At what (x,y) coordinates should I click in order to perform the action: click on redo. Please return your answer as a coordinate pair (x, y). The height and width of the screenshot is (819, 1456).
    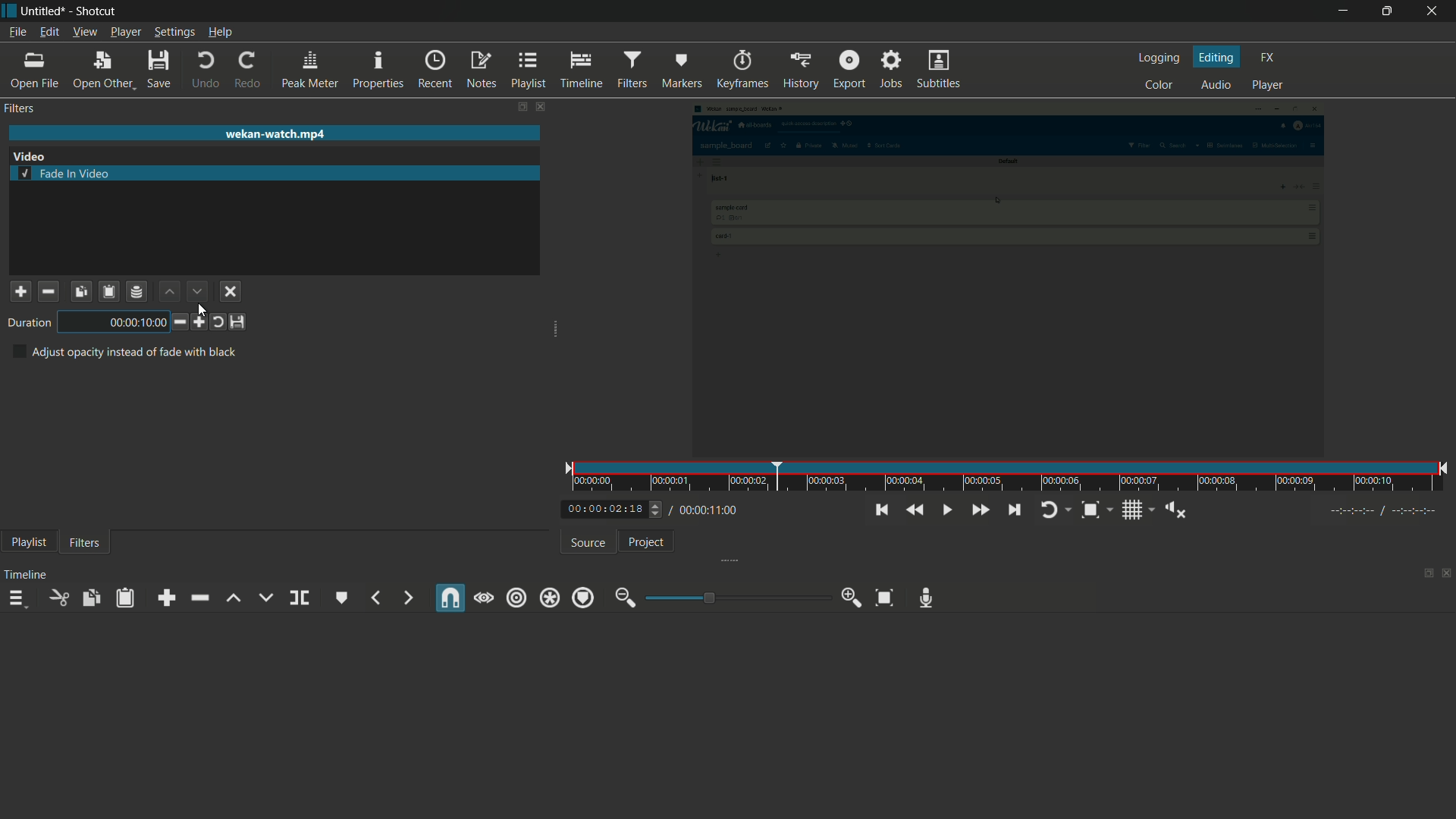
    Looking at the image, I should click on (246, 71).